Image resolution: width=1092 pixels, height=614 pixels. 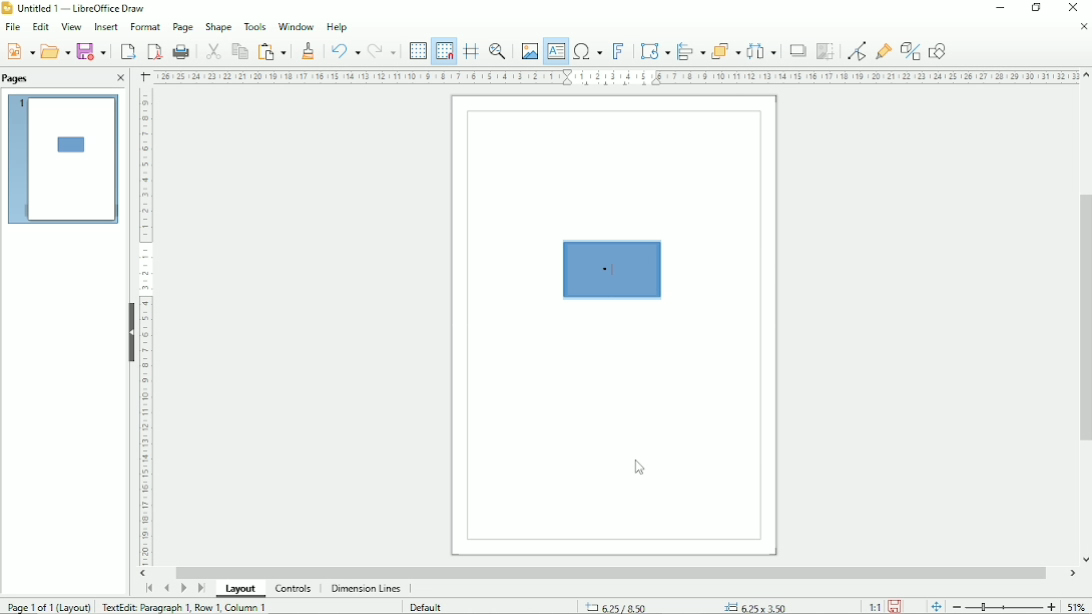 What do you see at coordinates (145, 26) in the screenshot?
I see `Format` at bounding box center [145, 26].